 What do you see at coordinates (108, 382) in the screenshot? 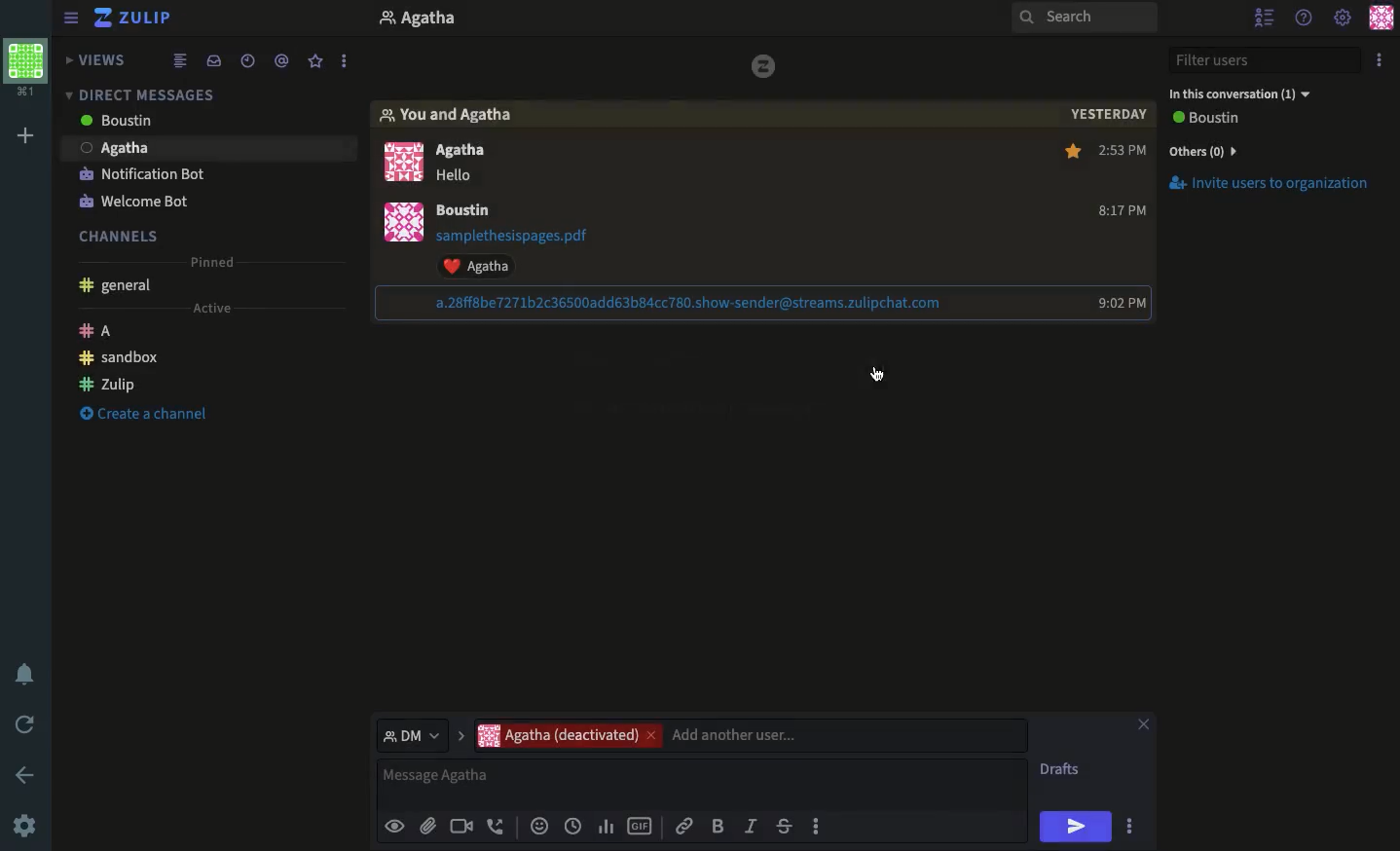
I see `Zulip` at bounding box center [108, 382].